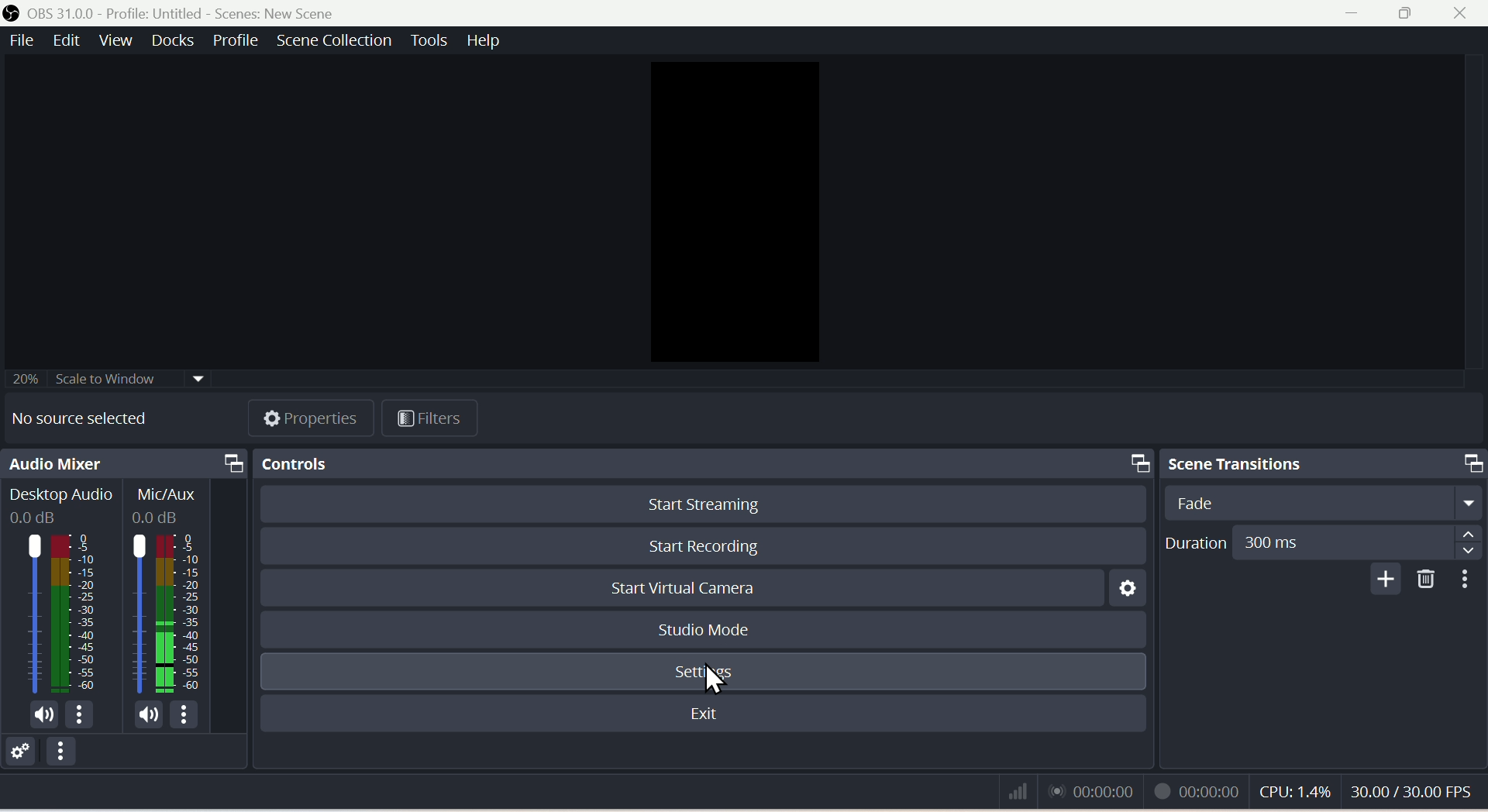  What do you see at coordinates (120, 377) in the screenshot?
I see `Scale to window` at bounding box center [120, 377].